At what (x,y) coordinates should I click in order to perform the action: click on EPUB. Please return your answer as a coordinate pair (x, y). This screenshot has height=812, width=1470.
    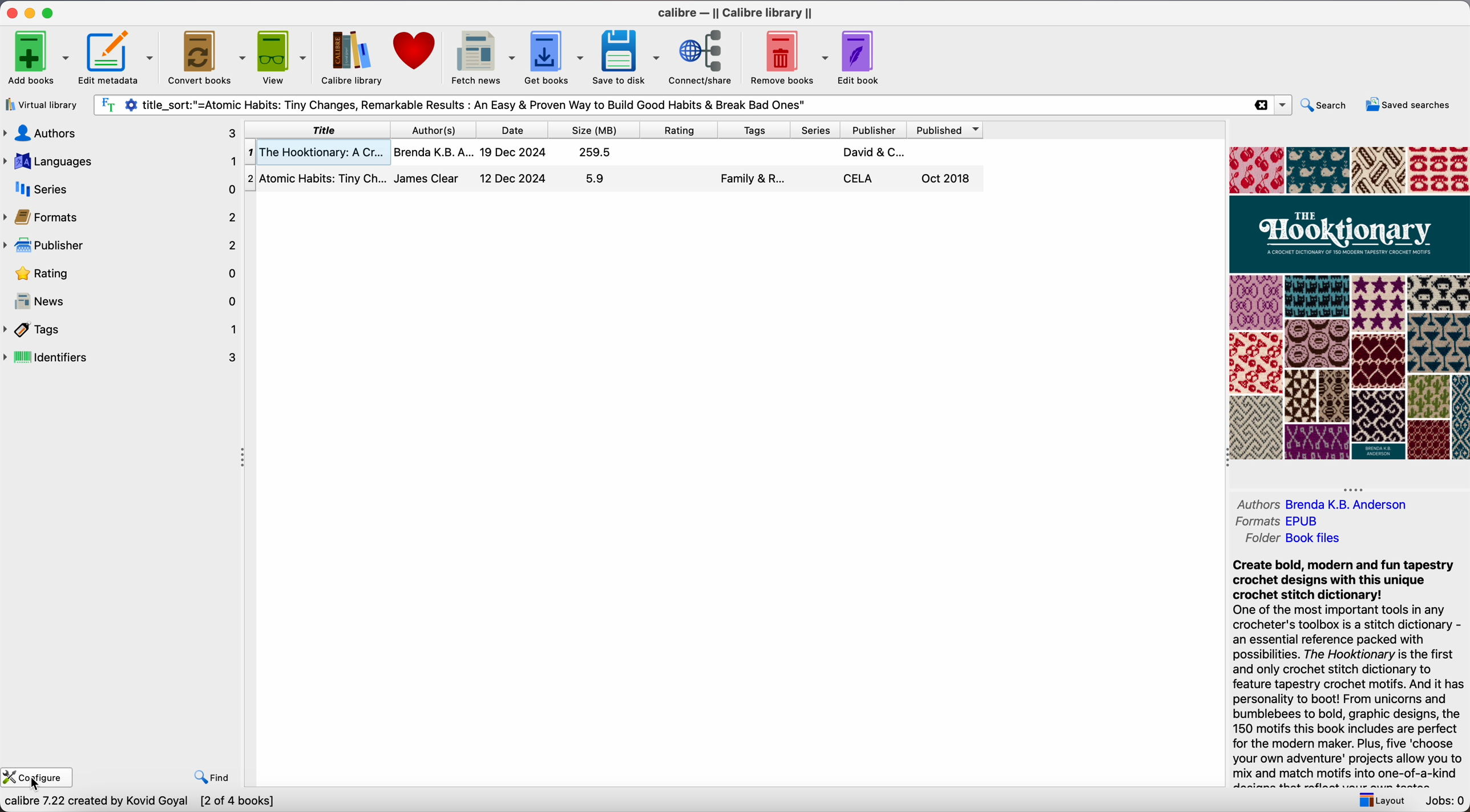
    Looking at the image, I should click on (1303, 521).